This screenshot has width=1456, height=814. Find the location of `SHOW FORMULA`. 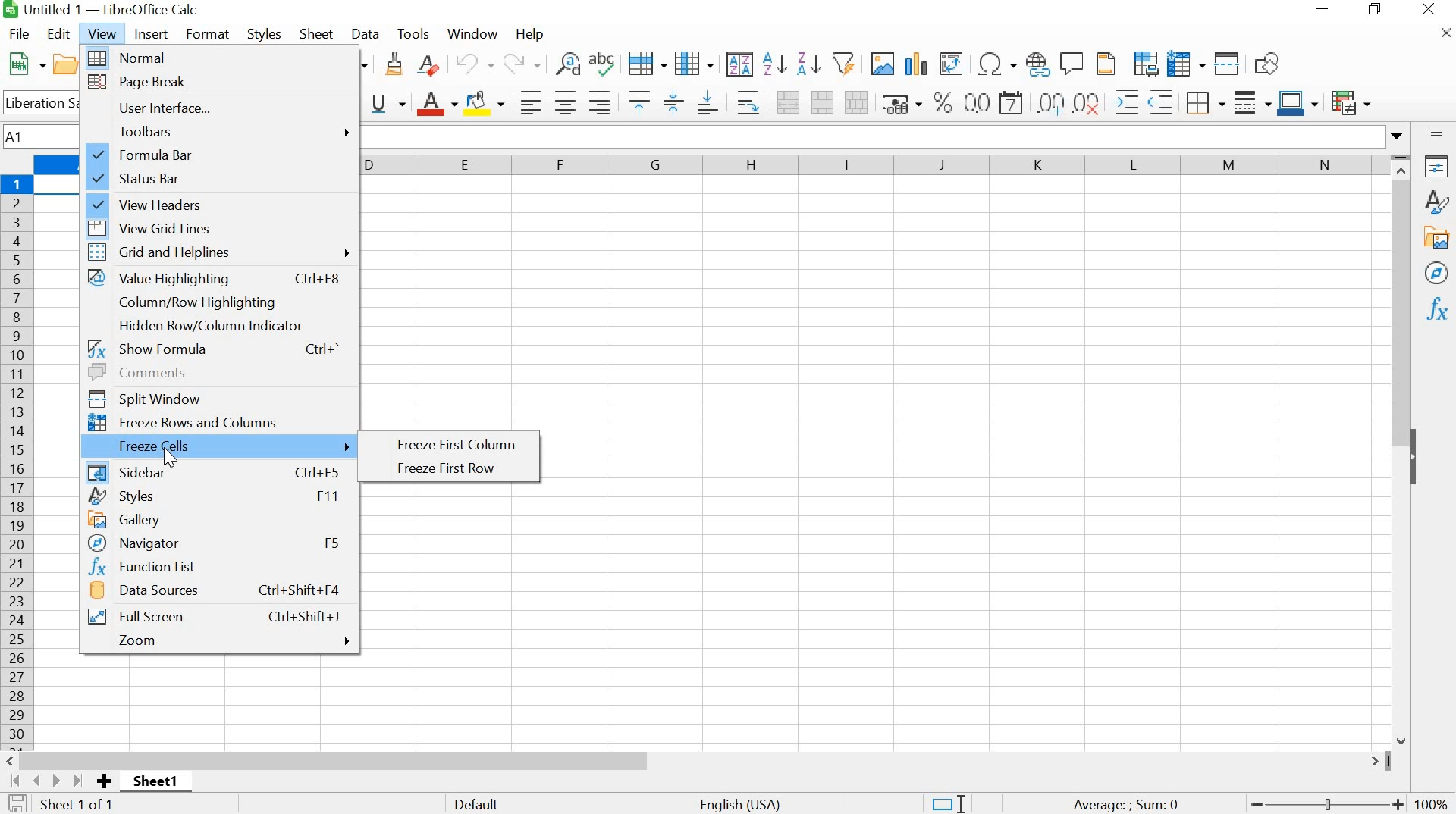

SHOW FORMULA is located at coordinates (214, 347).